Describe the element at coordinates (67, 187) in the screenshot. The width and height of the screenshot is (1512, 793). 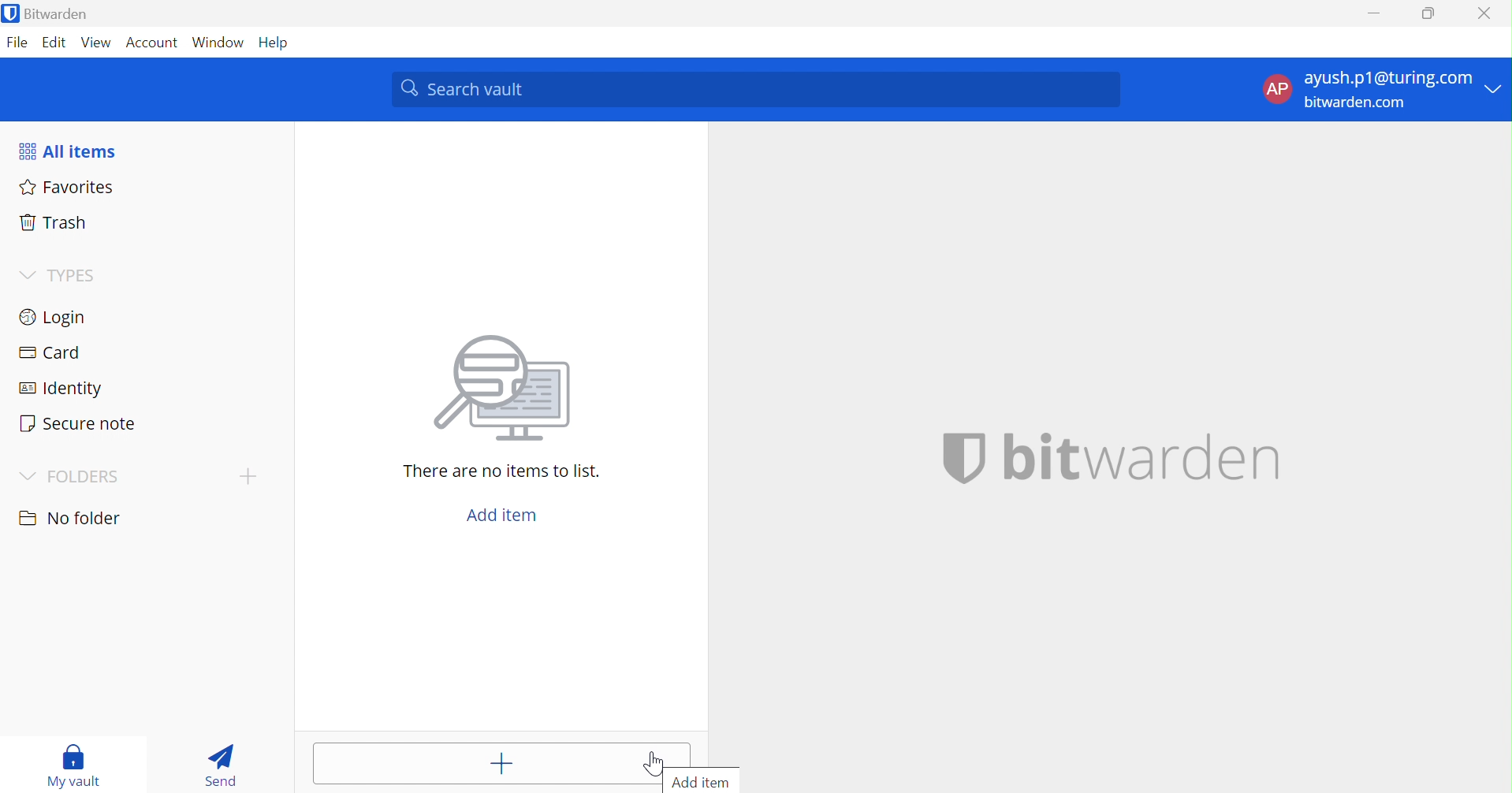
I see `Favorites` at that location.